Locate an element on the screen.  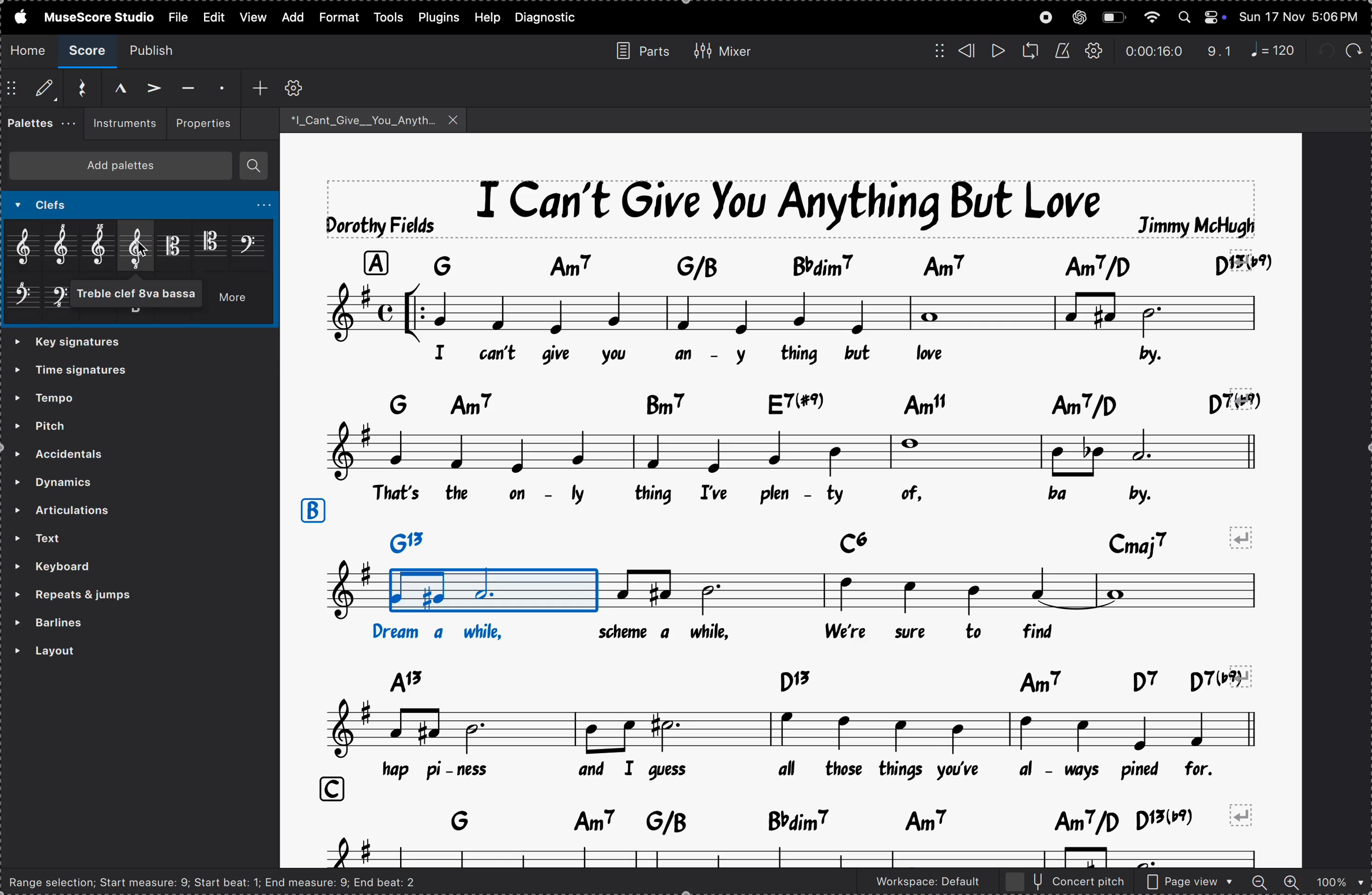
key notes is located at coordinates (795, 819).